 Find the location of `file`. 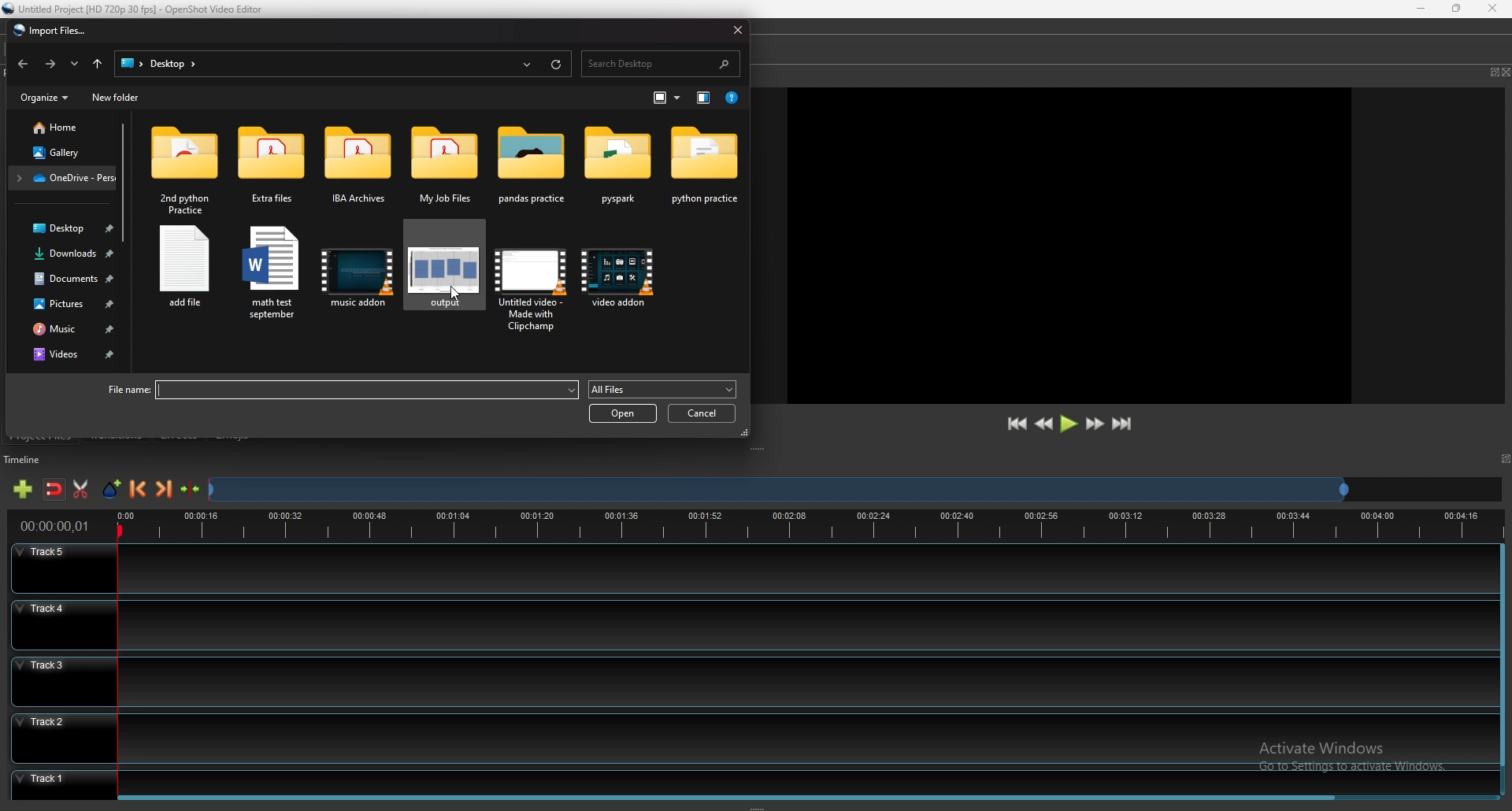

file is located at coordinates (358, 275).